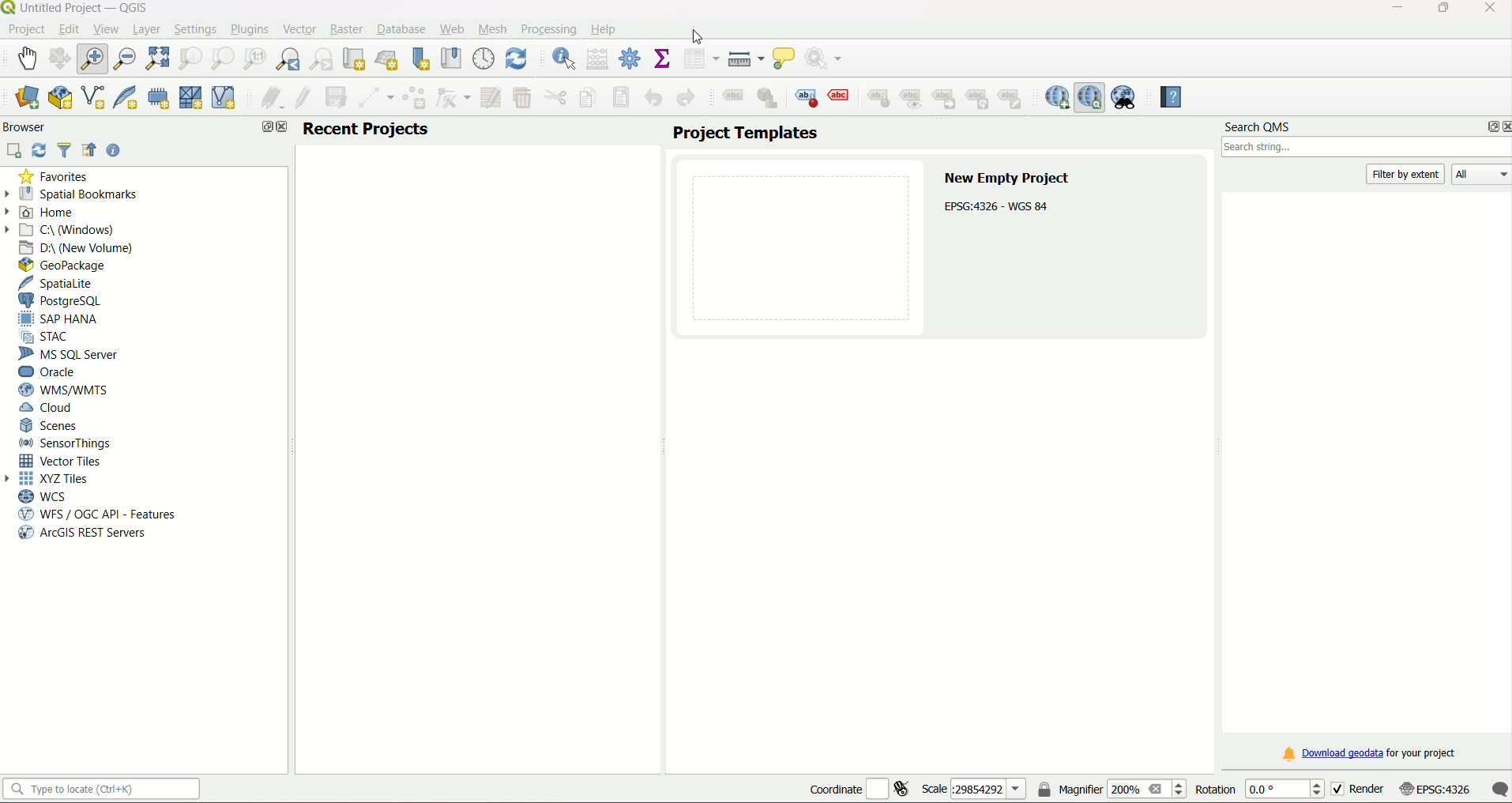  Describe the element at coordinates (1056, 97) in the screenshot. I see `quick map servies` at that location.